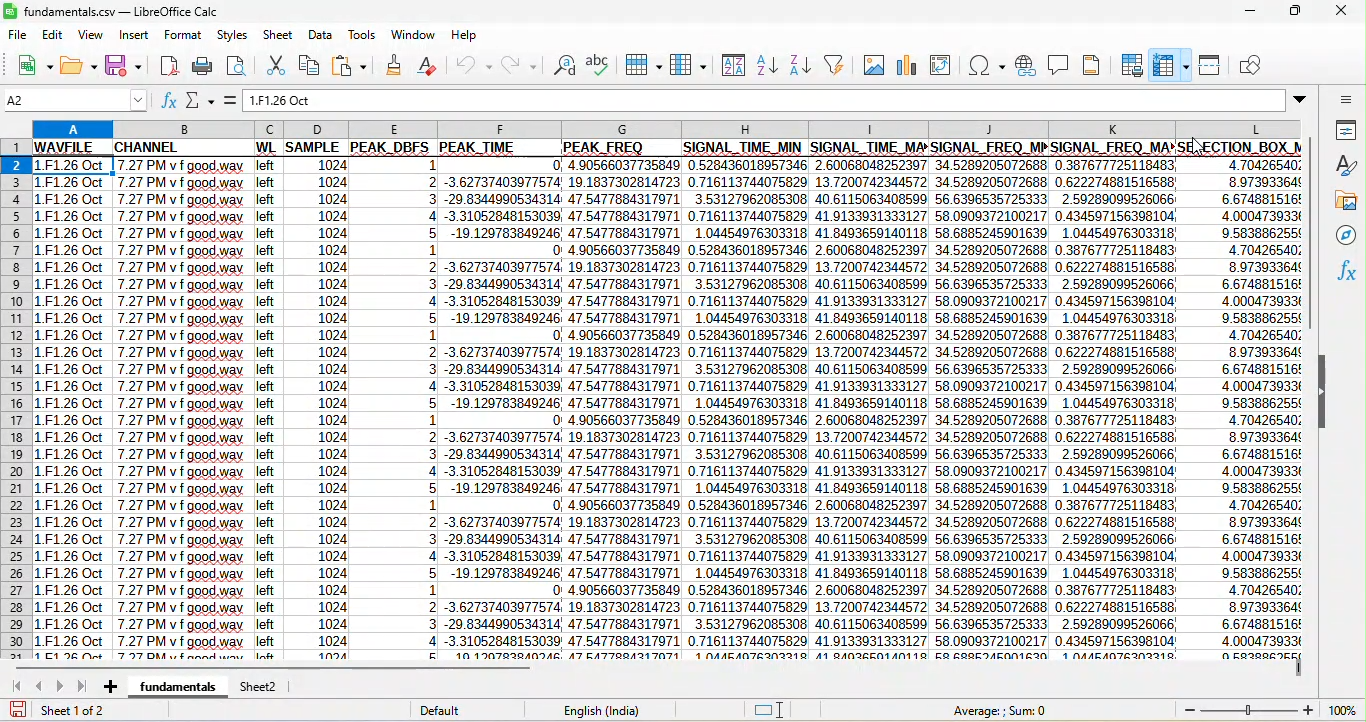 This screenshot has height=722, width=1366. I want to click on special character, so click(987, 65).